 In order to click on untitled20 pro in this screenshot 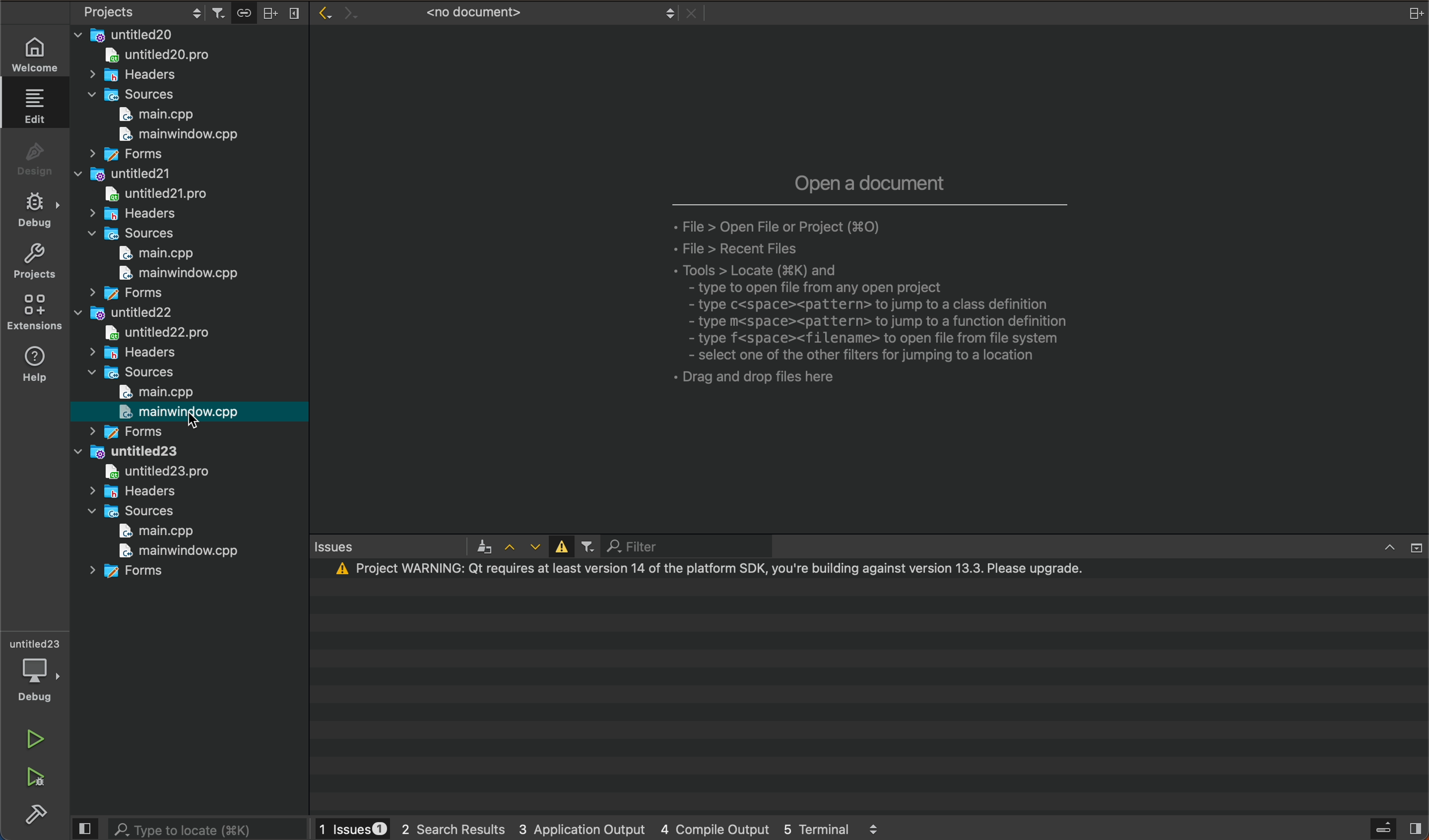, I will do `click(164, 57)`.